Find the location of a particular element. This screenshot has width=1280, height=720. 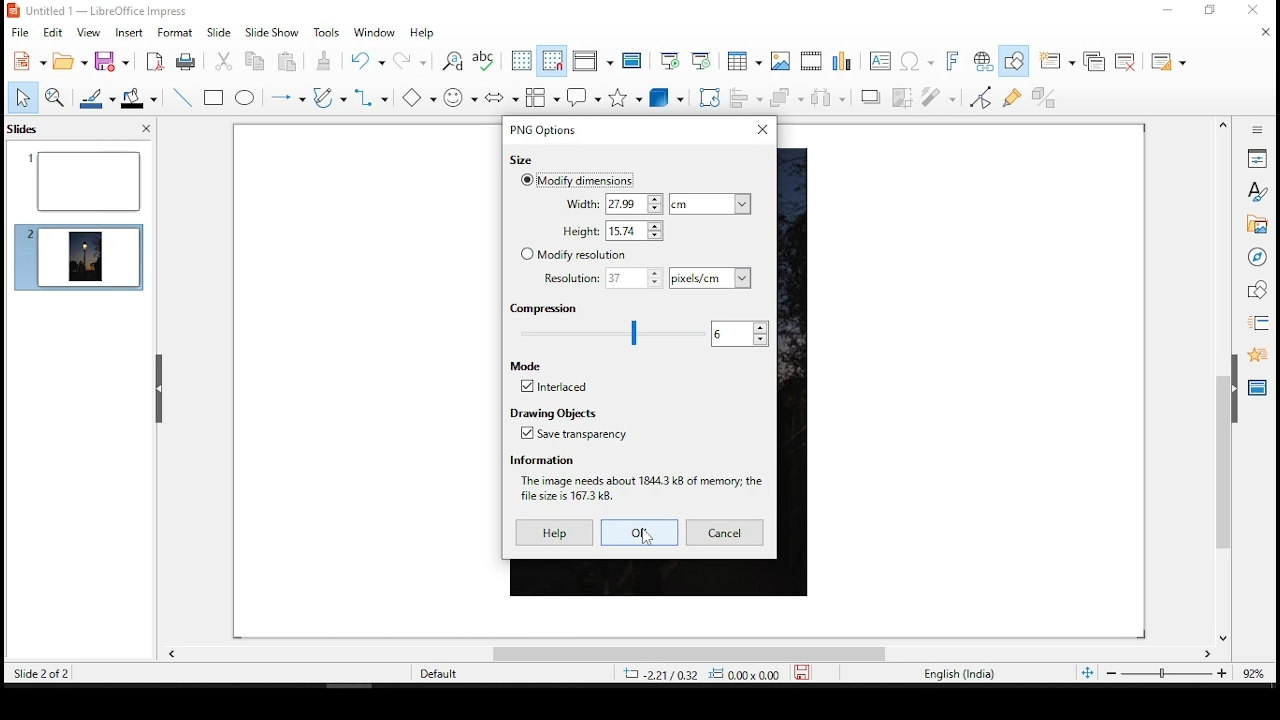

zoom and pan is located at coordinates (58, 99).